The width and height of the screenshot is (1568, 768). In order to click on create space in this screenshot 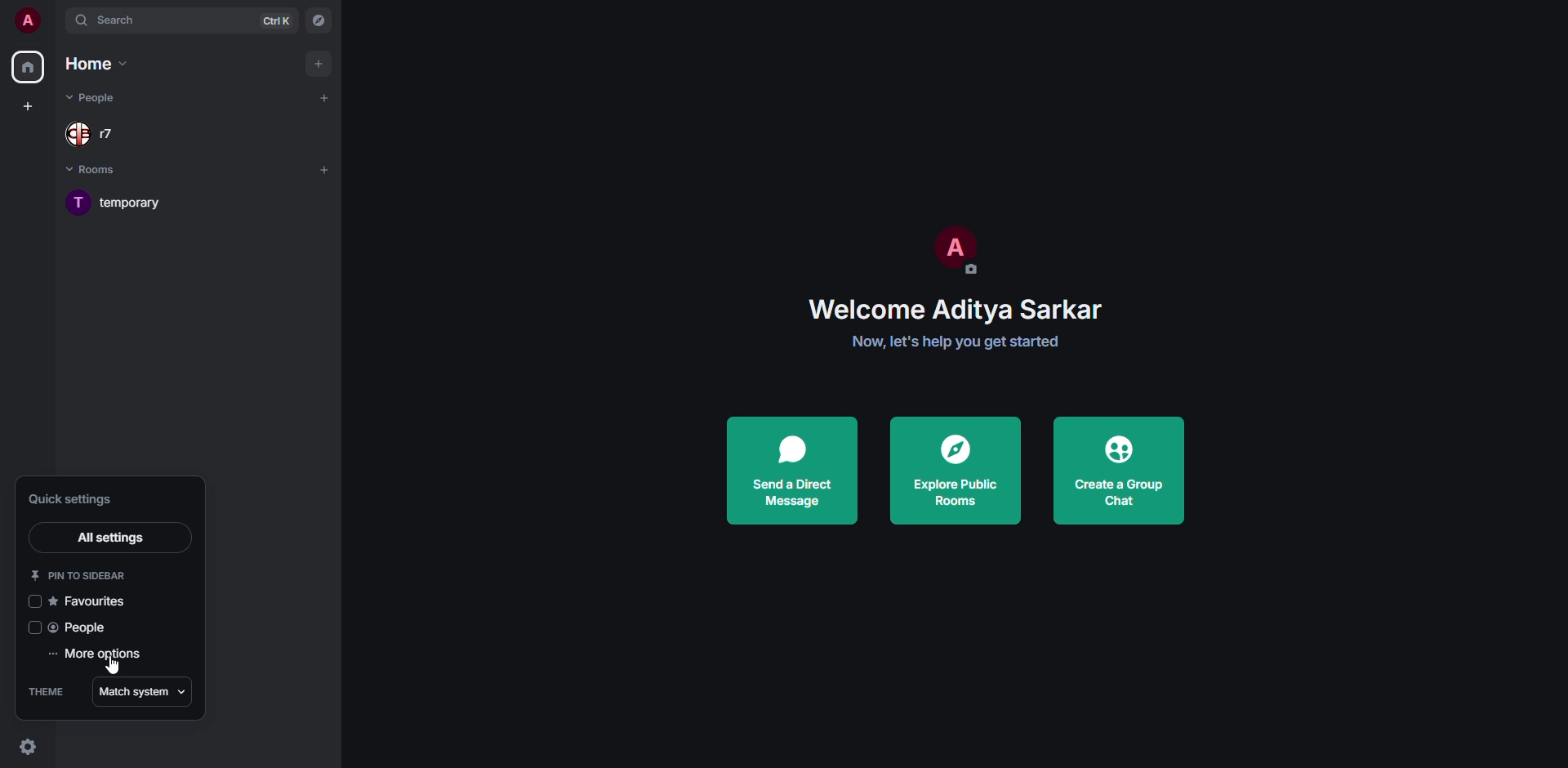, I will do `click(29, 106)`.